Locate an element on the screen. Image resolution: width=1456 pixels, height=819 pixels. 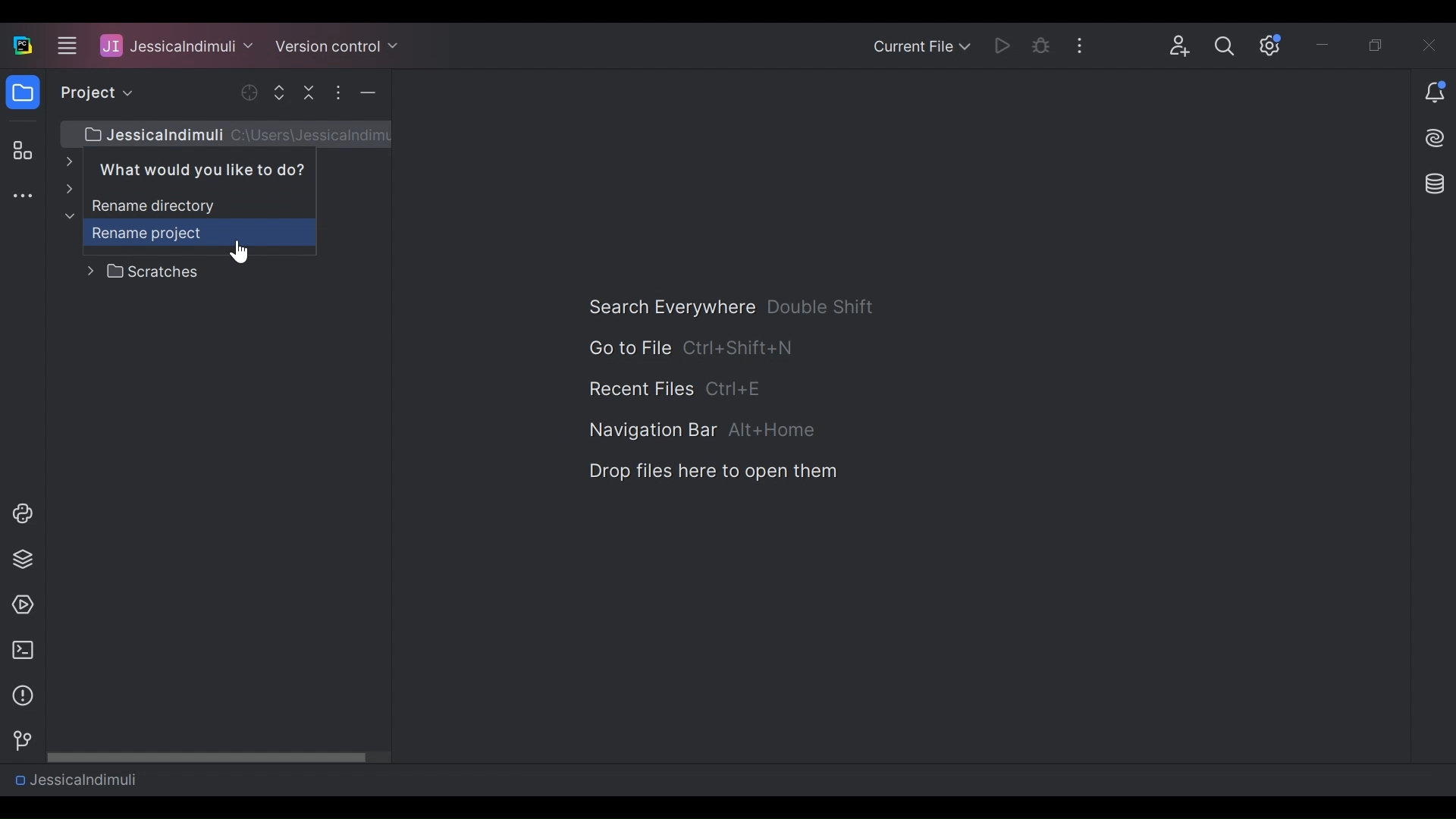
Code with Me is located at coordinates (1180, 46).